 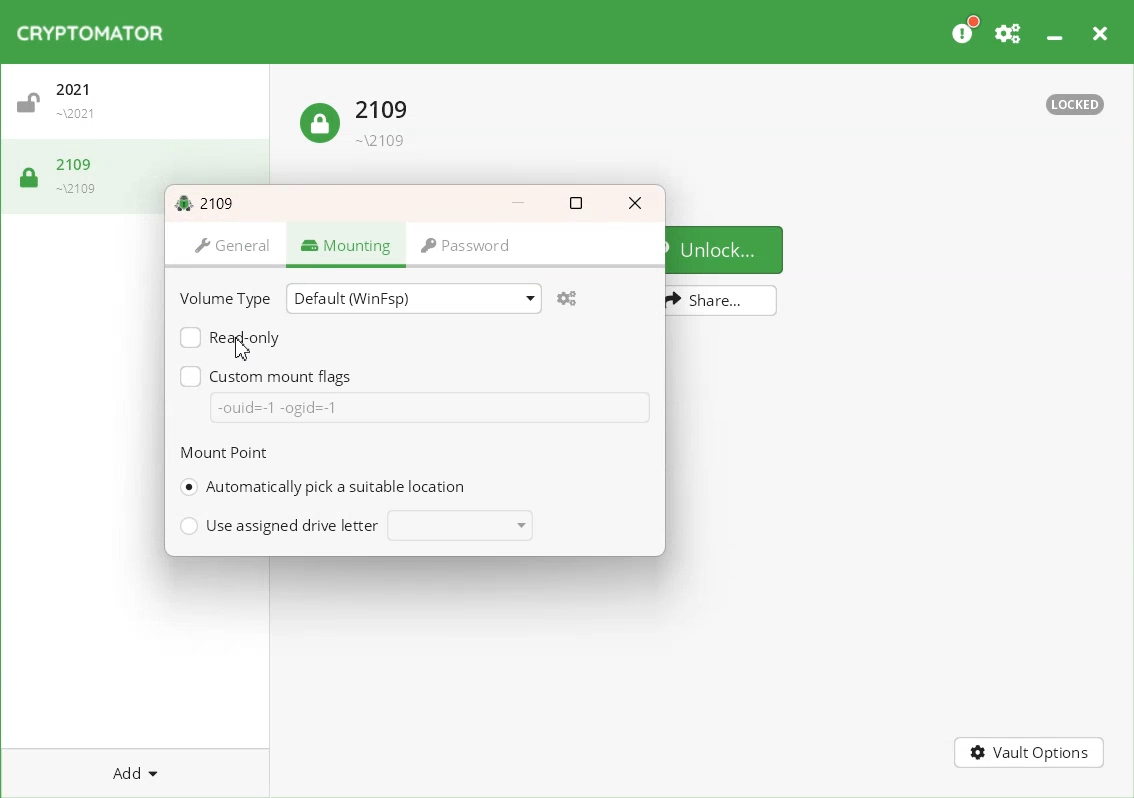 What do you see at coordinates (355, 525) in the screenshot?
I see `Use assigned drive letter` at bounding box center [355, 525].